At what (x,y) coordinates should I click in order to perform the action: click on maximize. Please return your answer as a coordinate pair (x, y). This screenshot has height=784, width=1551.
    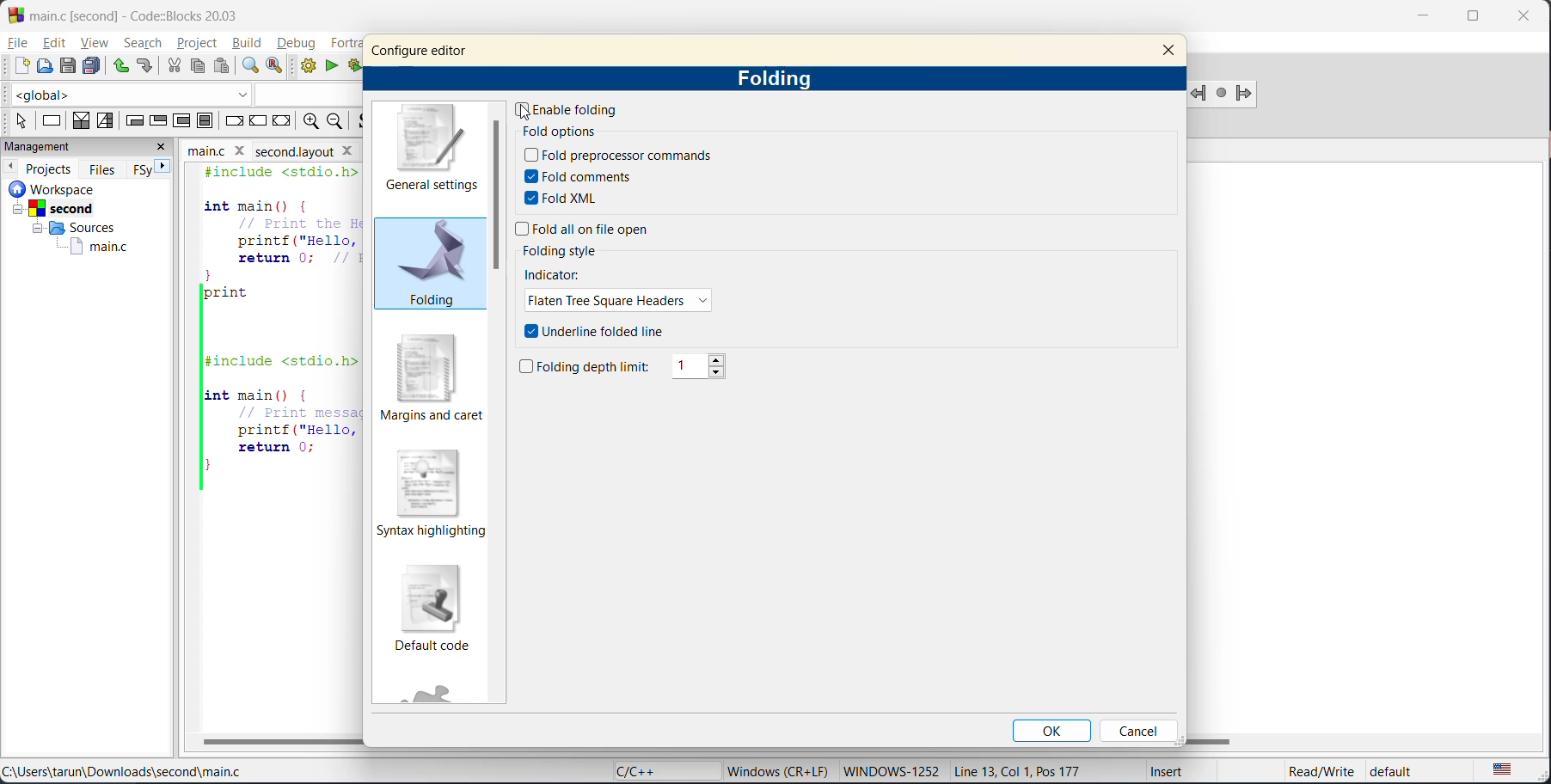
    Looking at the image, I should click on (1471, 19).